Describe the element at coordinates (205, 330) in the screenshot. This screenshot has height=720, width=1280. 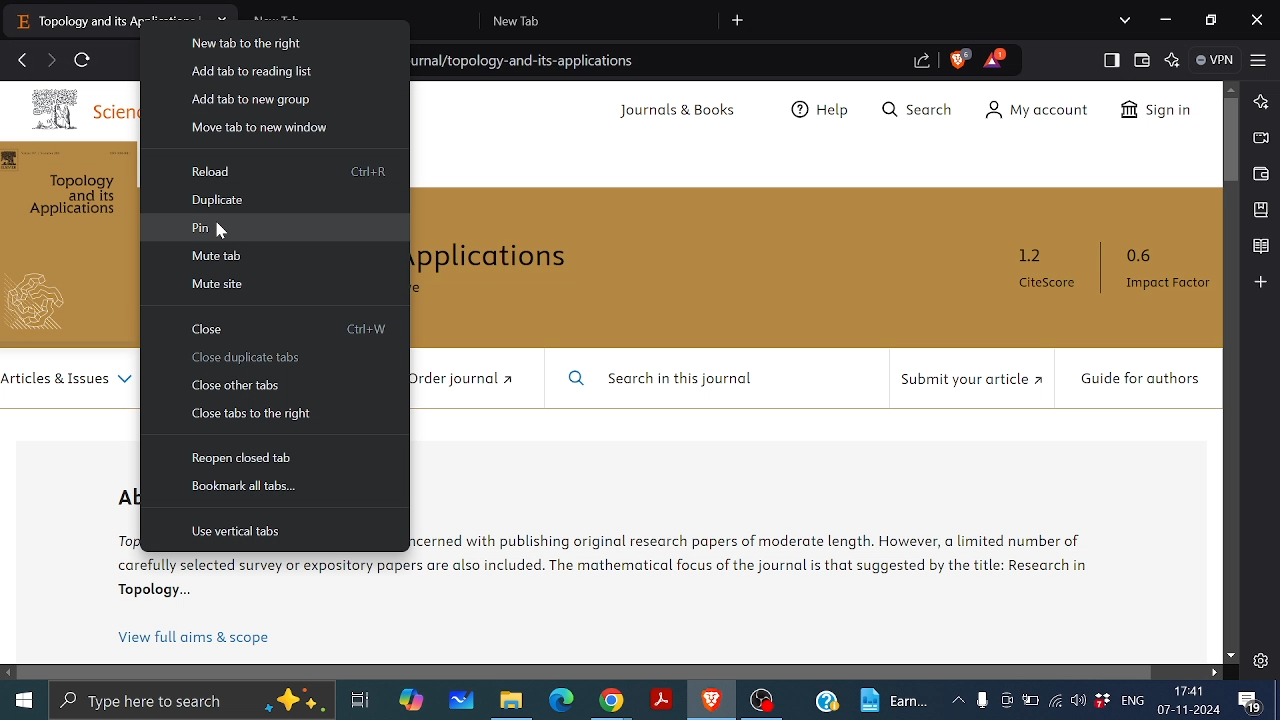
I see `Close tab` at that location.